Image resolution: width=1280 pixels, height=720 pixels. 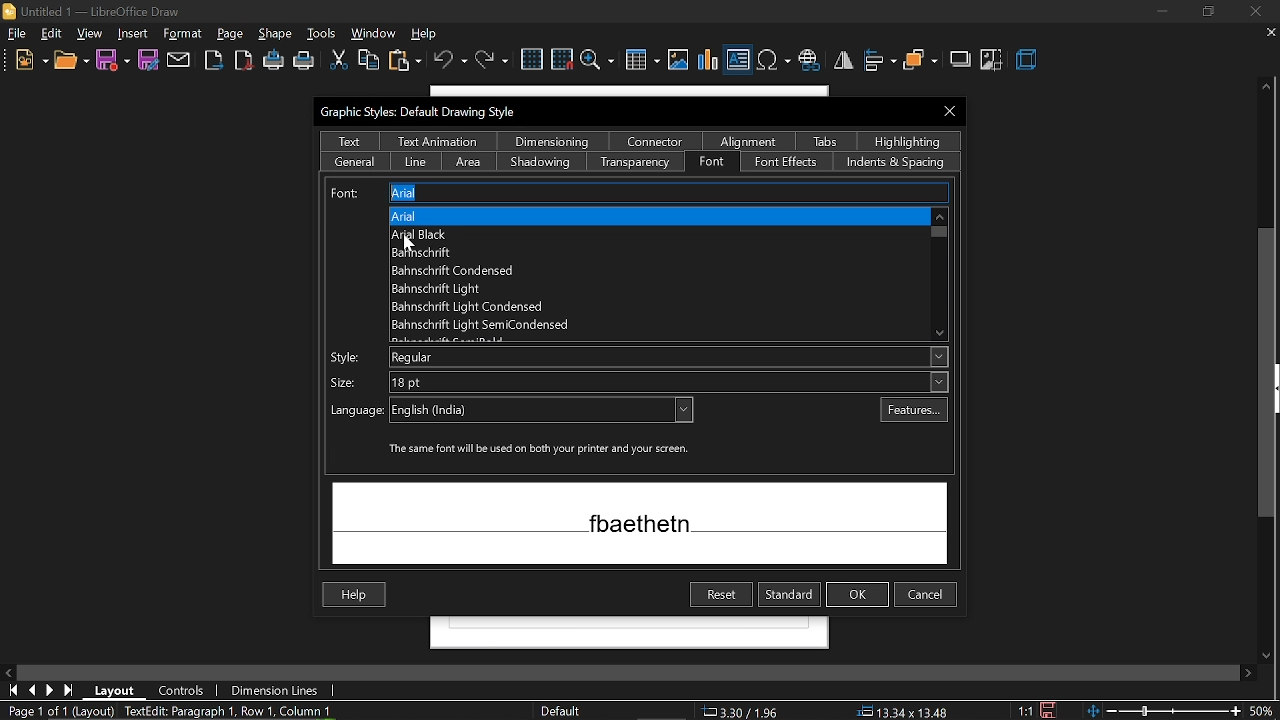 What do you see at coordinates (30, 60) in the screenshot?
I see `new` at bounding box center [30, 60].